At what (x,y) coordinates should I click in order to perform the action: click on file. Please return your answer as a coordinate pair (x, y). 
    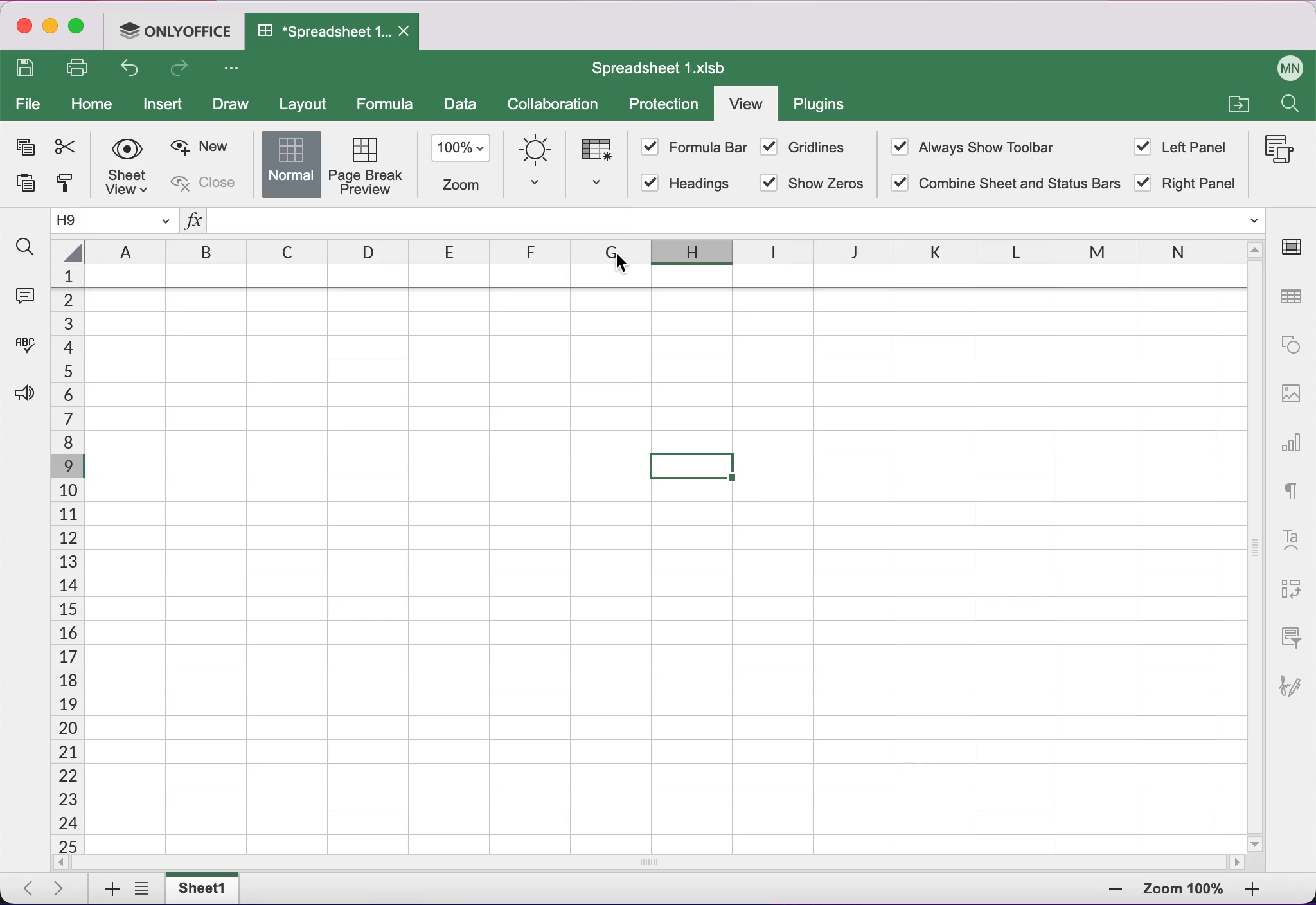
    Looking at the image, I should click on (28, 103).